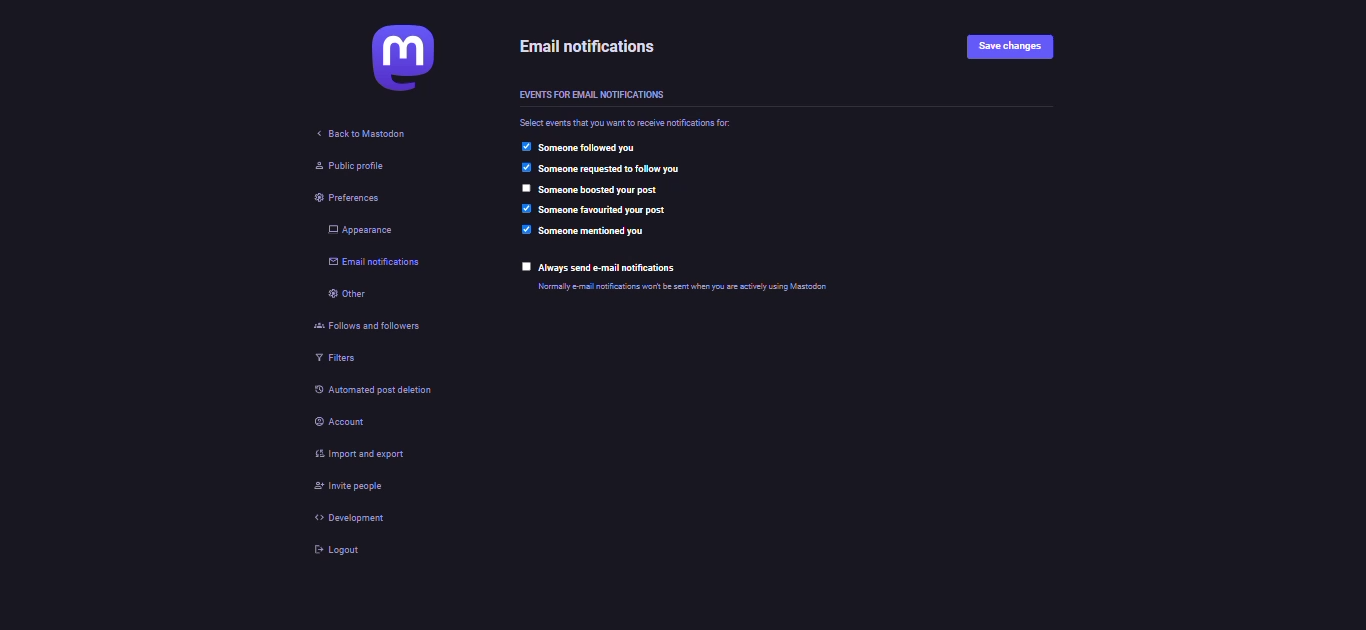 This screenshot has height=630, width=1366. I want to click on select events, so click(629, 122).